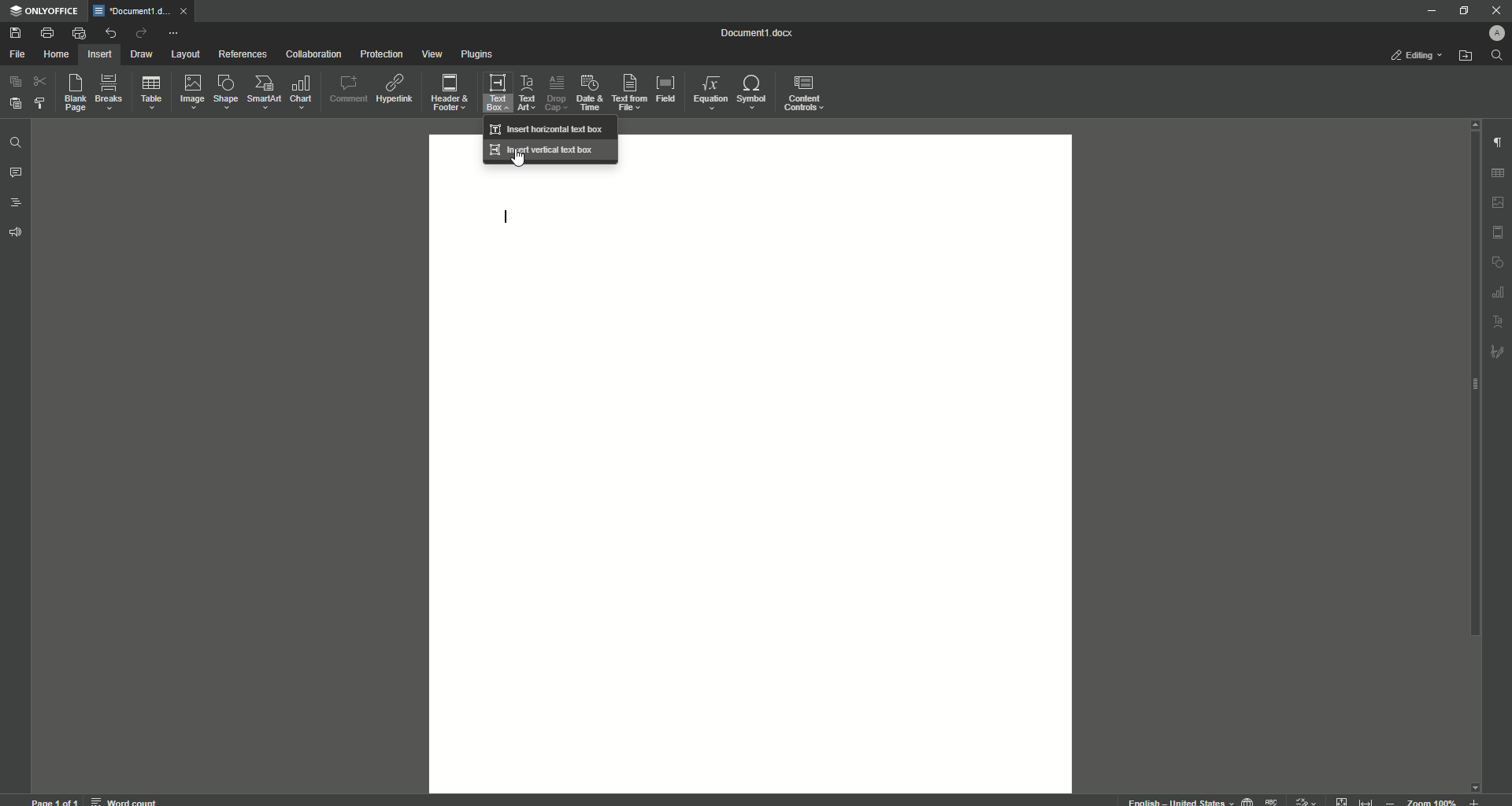 This screenshot has width=1512, height=806. What do you see at coordinates (98, 54) in the screenshot?
I see `Insert` at bounding box center [98, 54].